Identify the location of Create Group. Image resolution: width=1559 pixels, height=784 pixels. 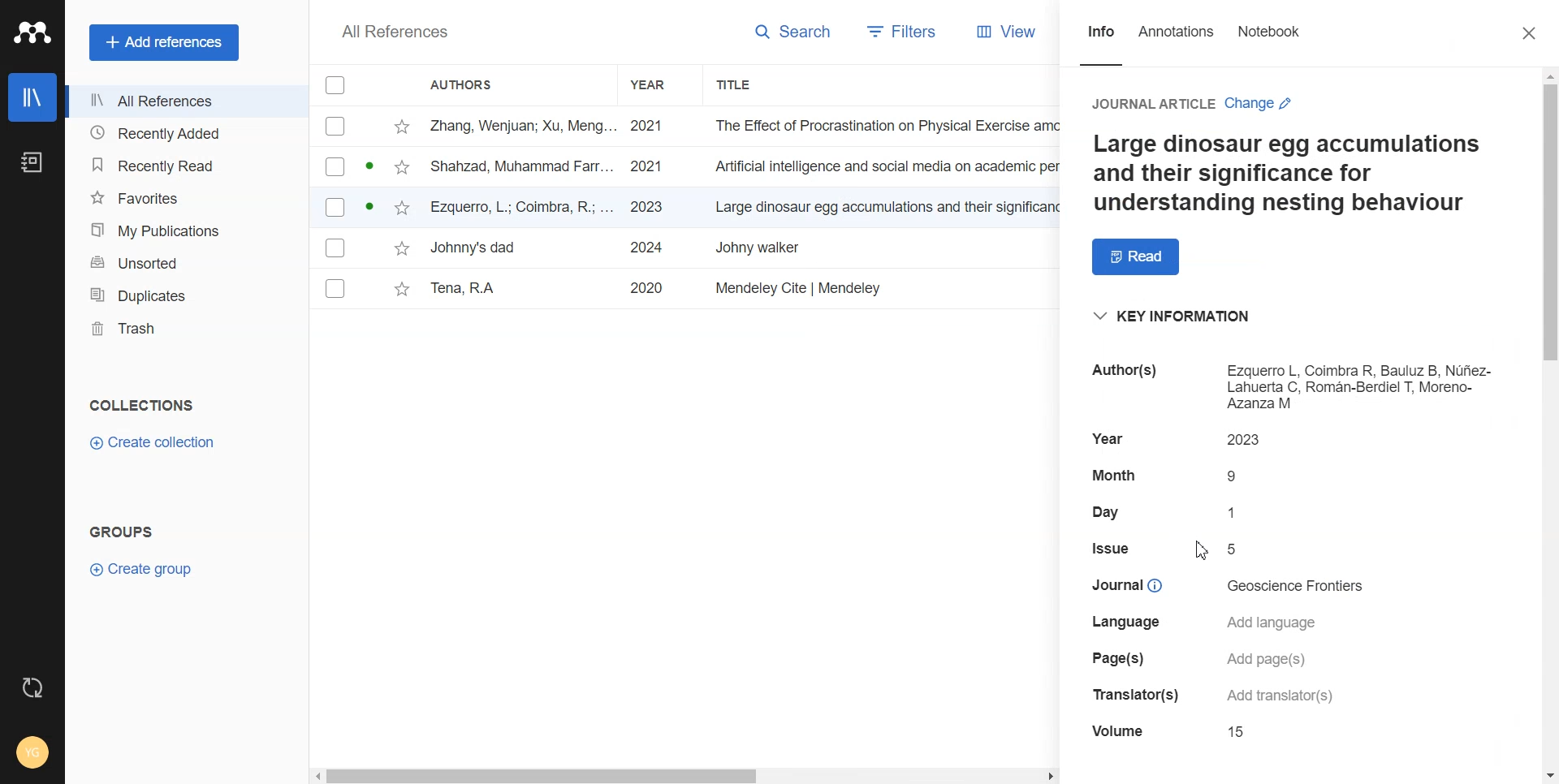
(142, 569).